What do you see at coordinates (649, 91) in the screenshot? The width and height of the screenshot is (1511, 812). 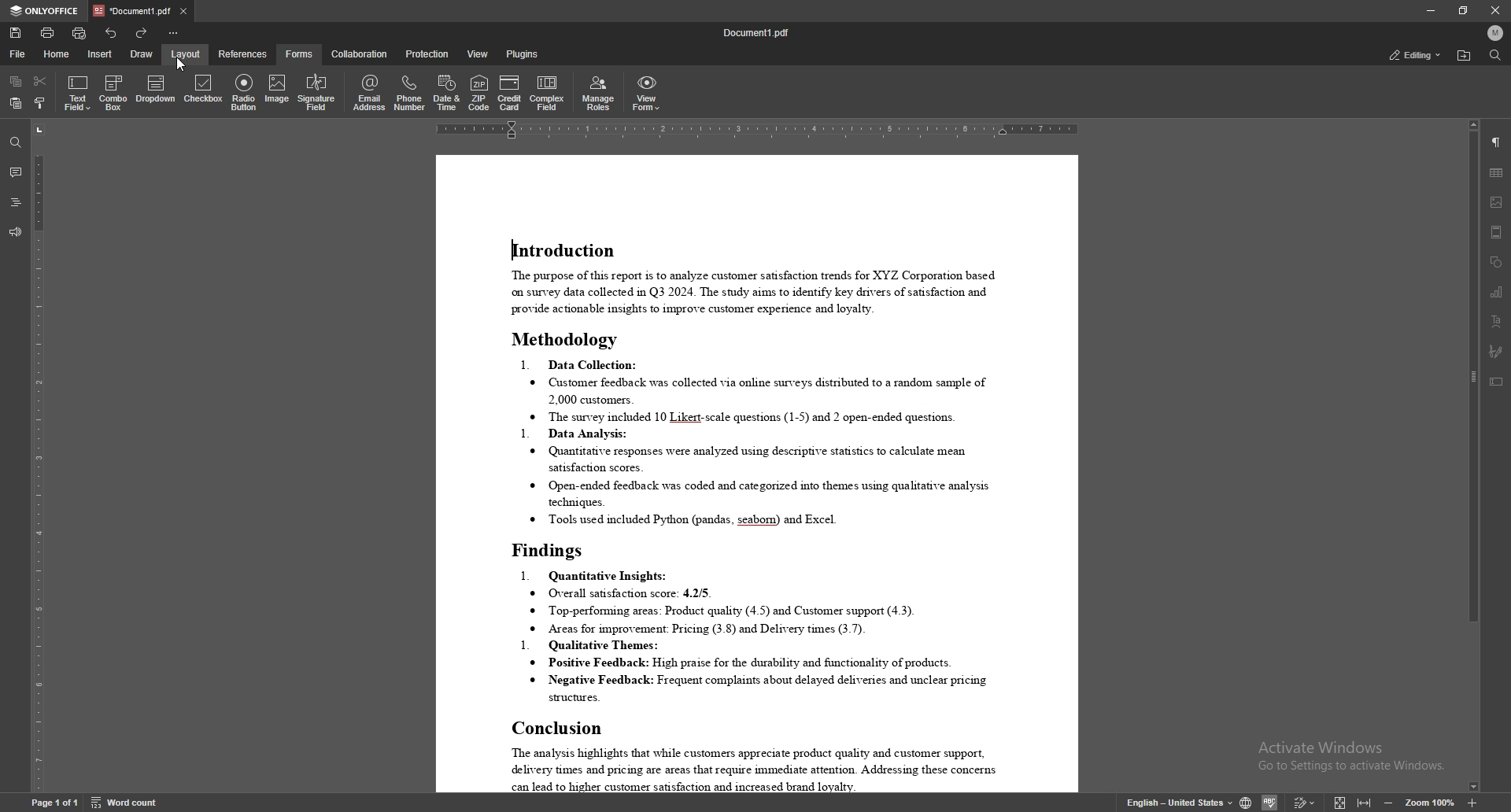 I see `view form` at bounding box center [649, 91].